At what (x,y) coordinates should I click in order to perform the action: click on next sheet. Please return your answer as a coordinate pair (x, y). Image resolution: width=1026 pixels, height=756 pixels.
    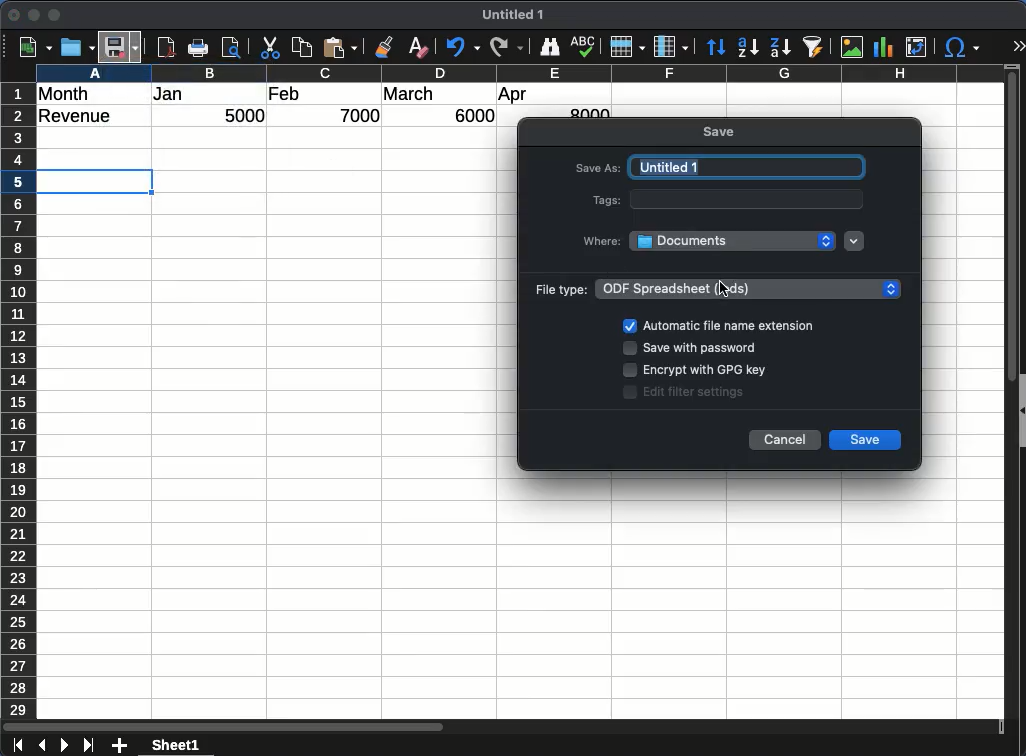
    Looking at the image, I should click on (63, 746).